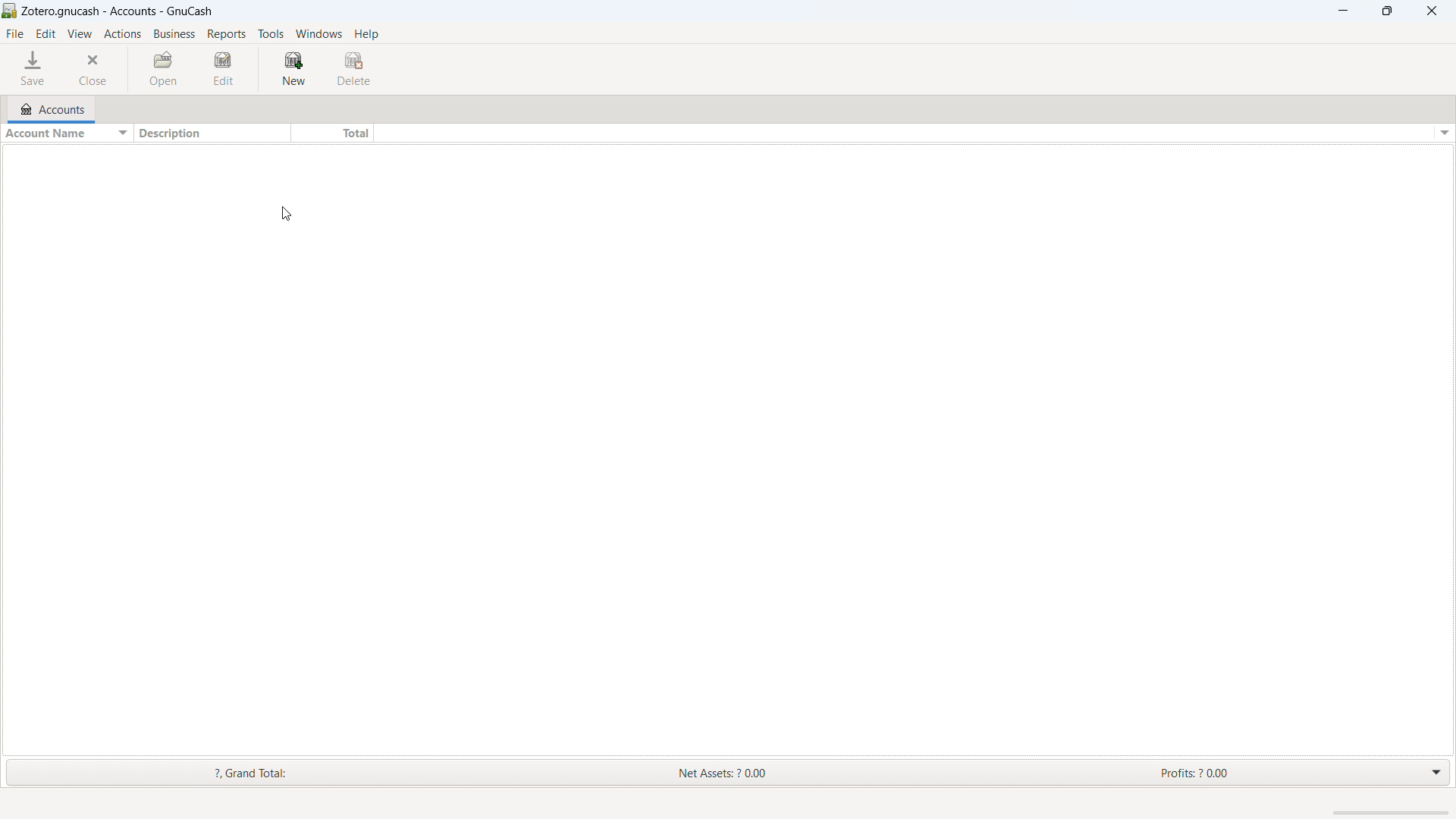 The width and height of the screenshot is (1456, 819). What do you see at coordinates (1341, 11) in the screenshot?
I see `minimize` at bounding box center [1341, 11].